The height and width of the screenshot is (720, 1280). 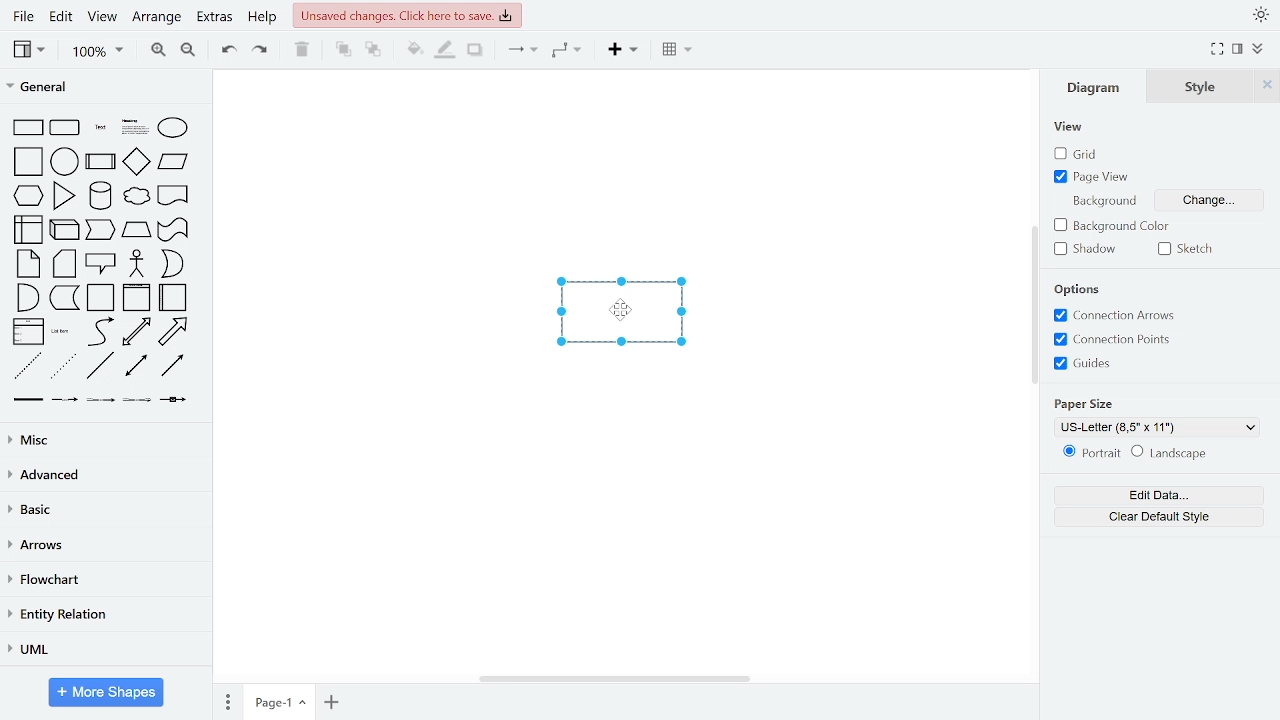 I want to click on sketch, so click(x=1182, y=251).